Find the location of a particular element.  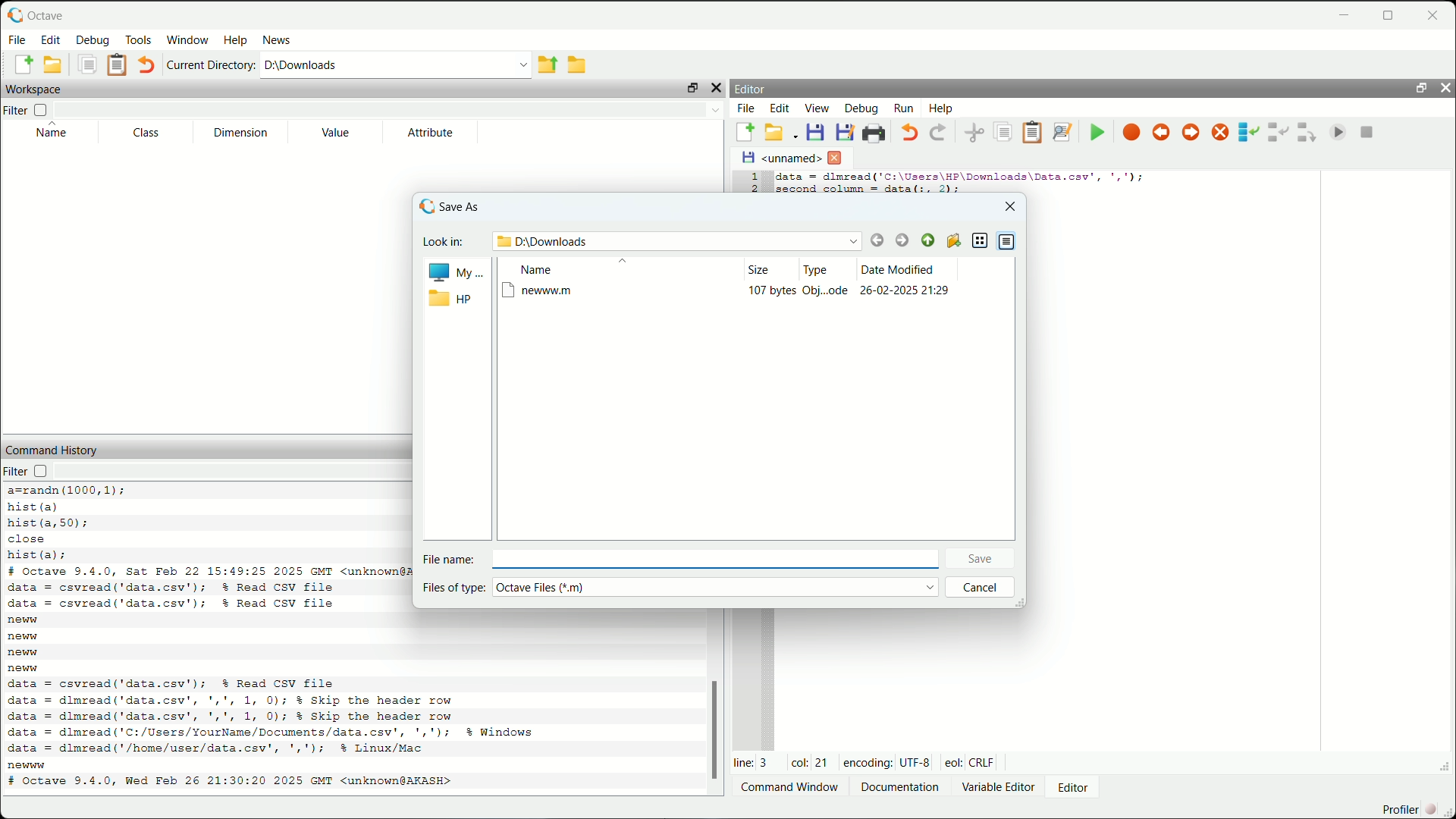

editor is located at coordinates (1083, 787).